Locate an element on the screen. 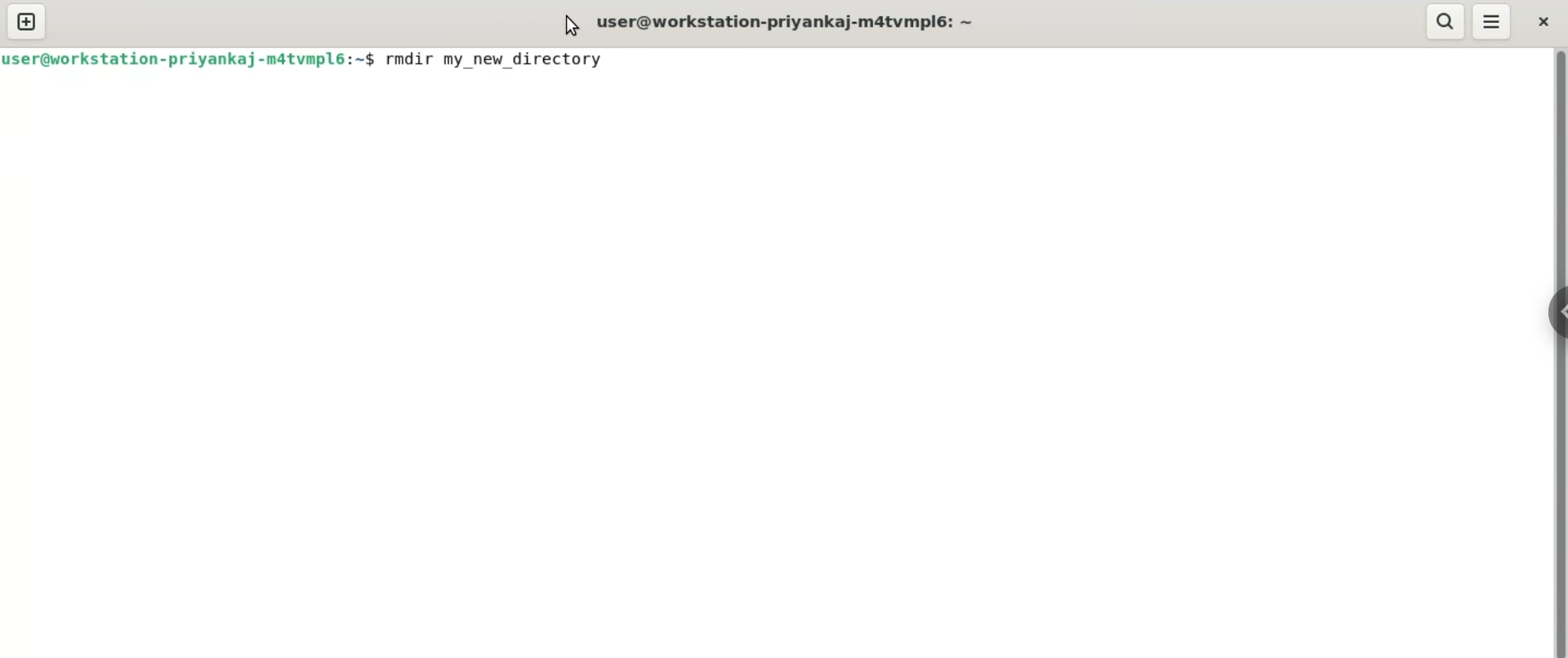  rmdir my_new_directory is located at coordinates (496, 57).